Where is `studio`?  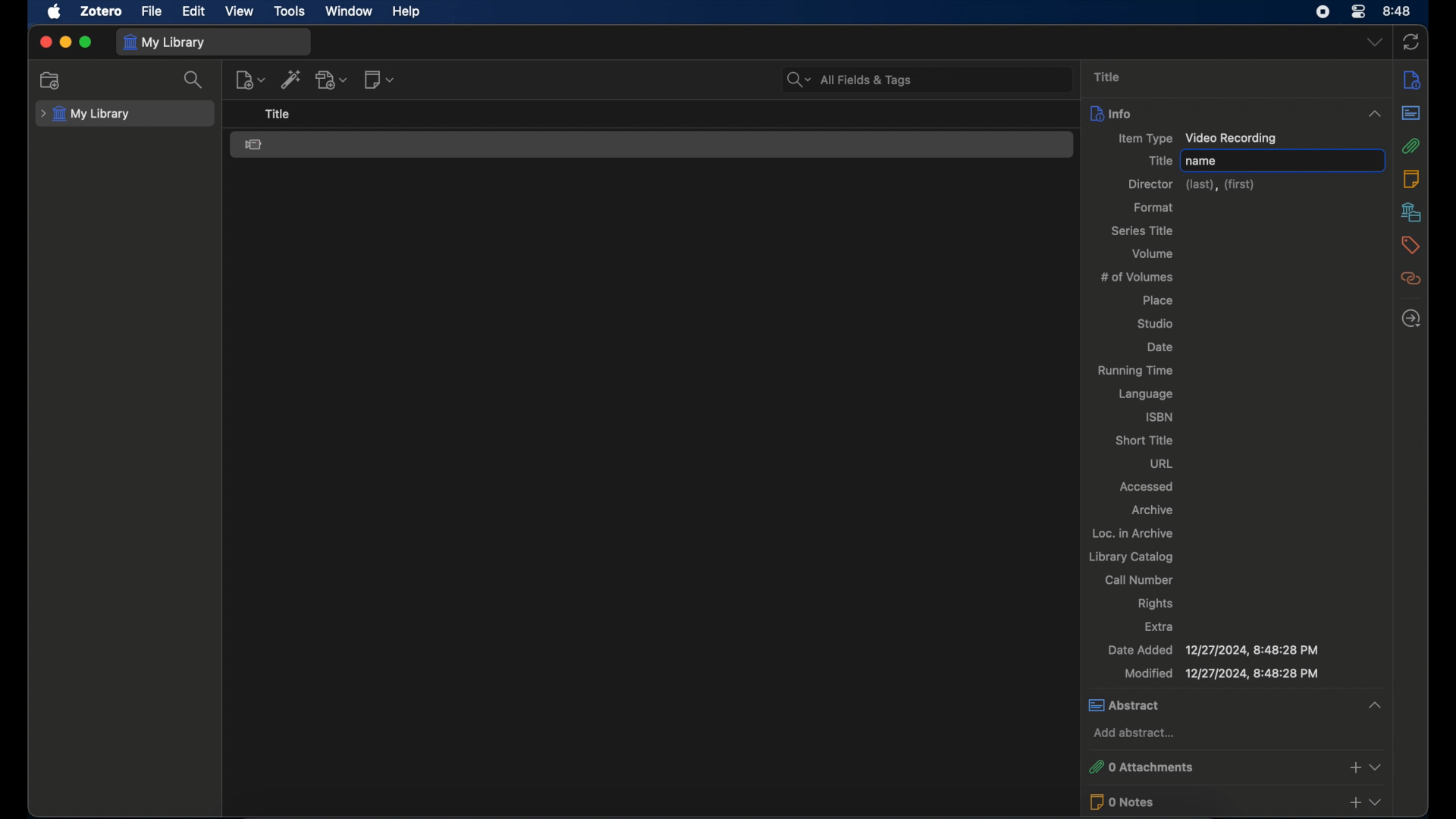
studio is located at coordinates (1155, 325).